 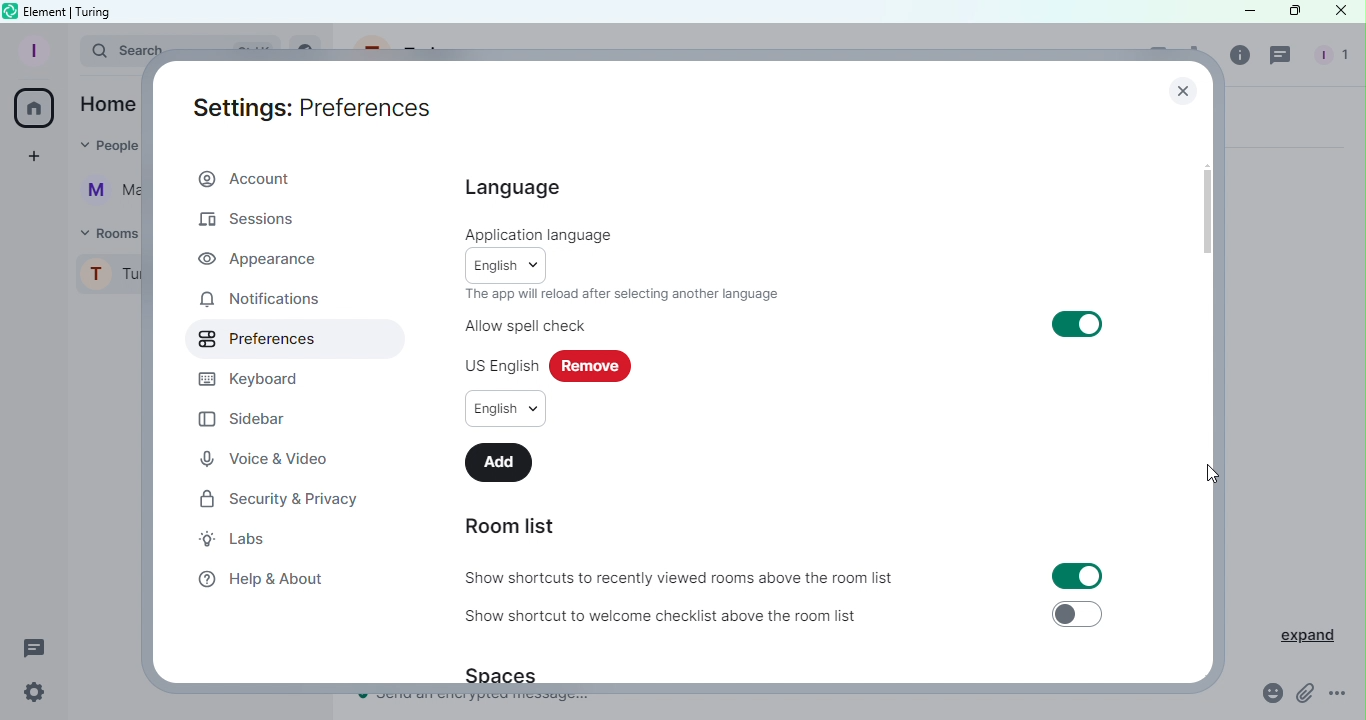 What do you see at coordinates (108, 103) in the screenshot?
I see `Home ` at bounding box center [108, 103].